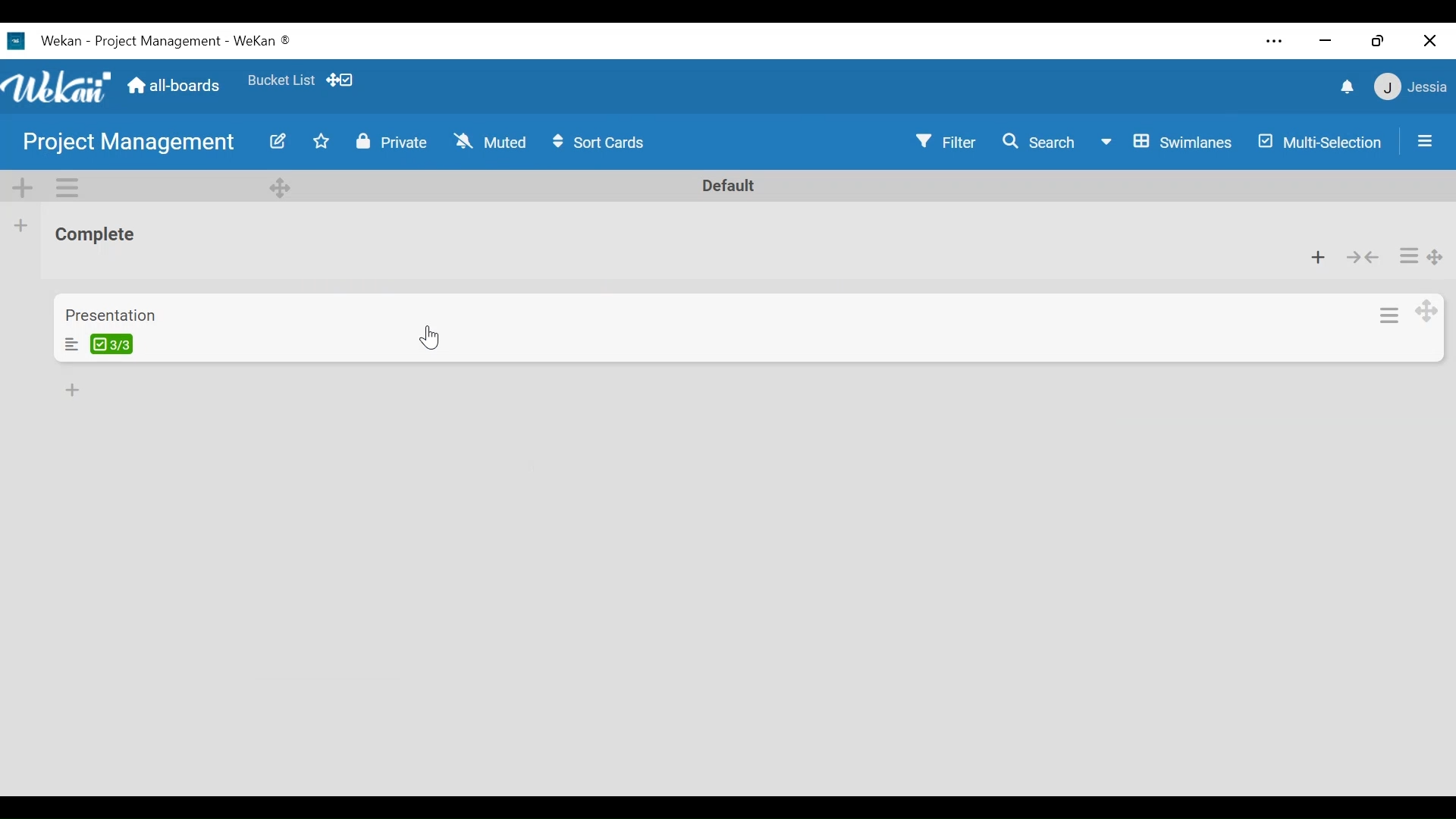 The width and height of the screenshot is (1456, 819). I want to click on Multi-Selection, so click(1321, 143).